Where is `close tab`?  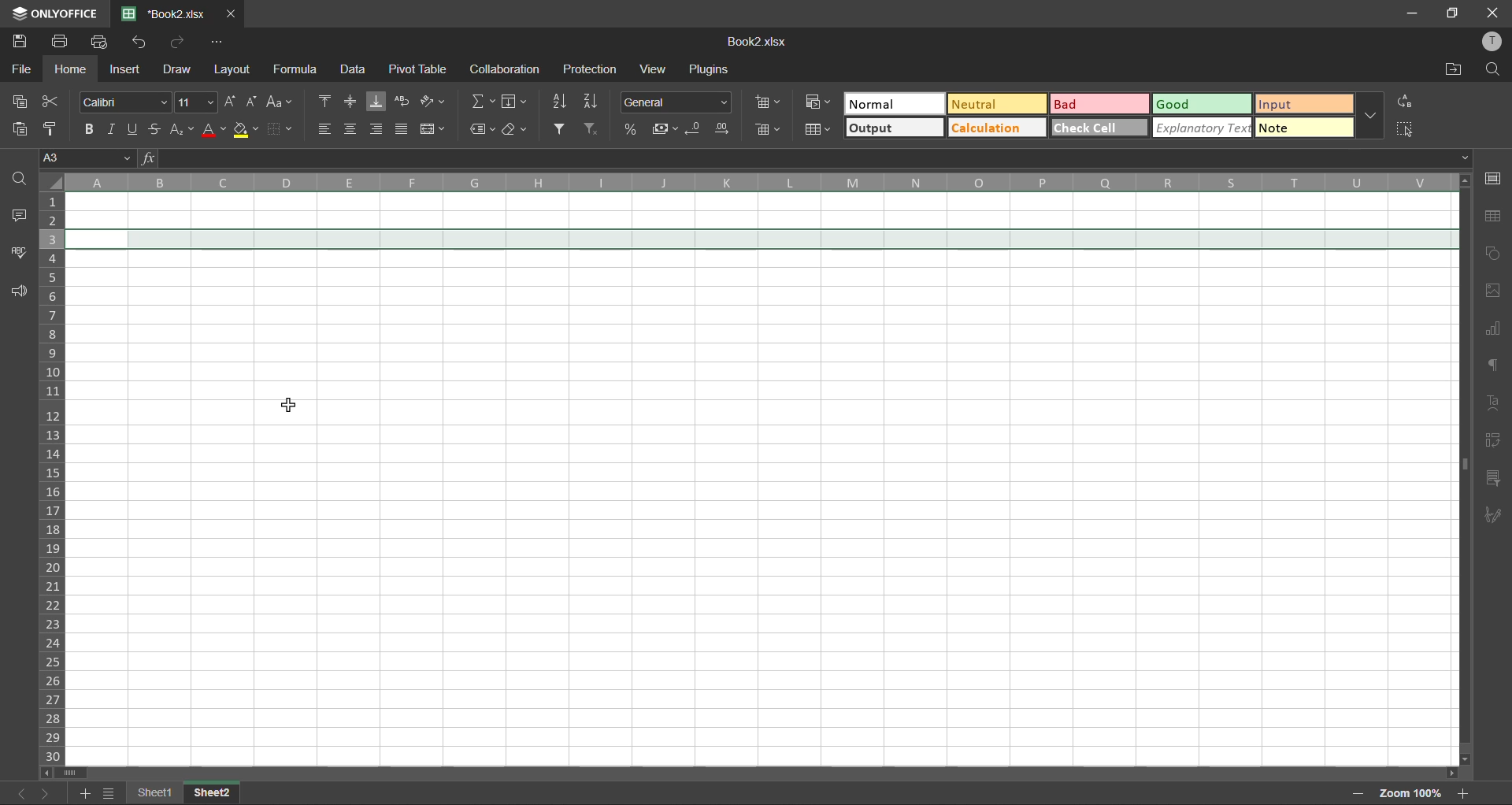 close tab is located at coordinates (233, 14).